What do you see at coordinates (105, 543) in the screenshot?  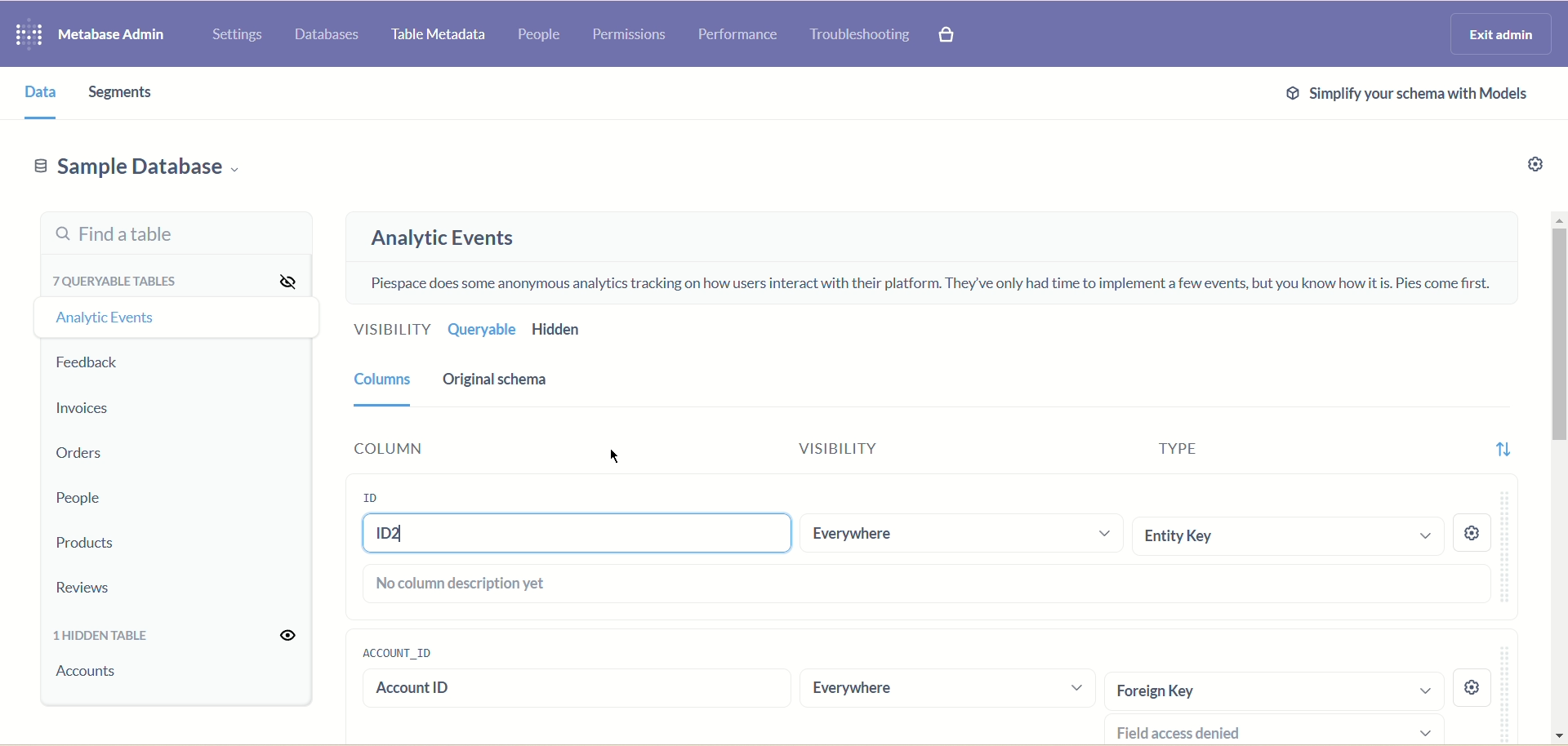 I see `Products` at bounding box center [105, 543].